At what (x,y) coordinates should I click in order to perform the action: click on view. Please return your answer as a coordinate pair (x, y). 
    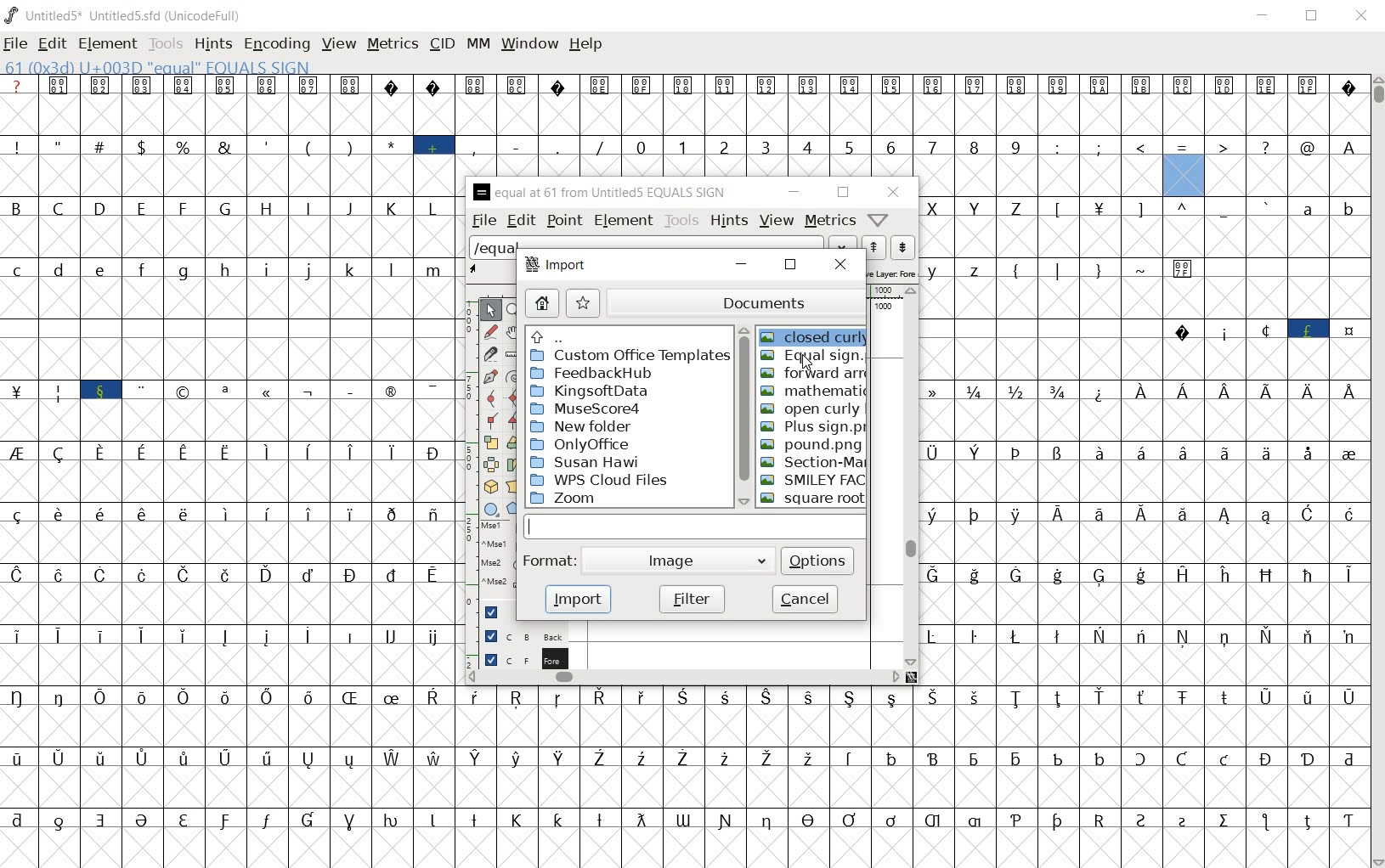
    Looking at the image, I should click on (337, 45).